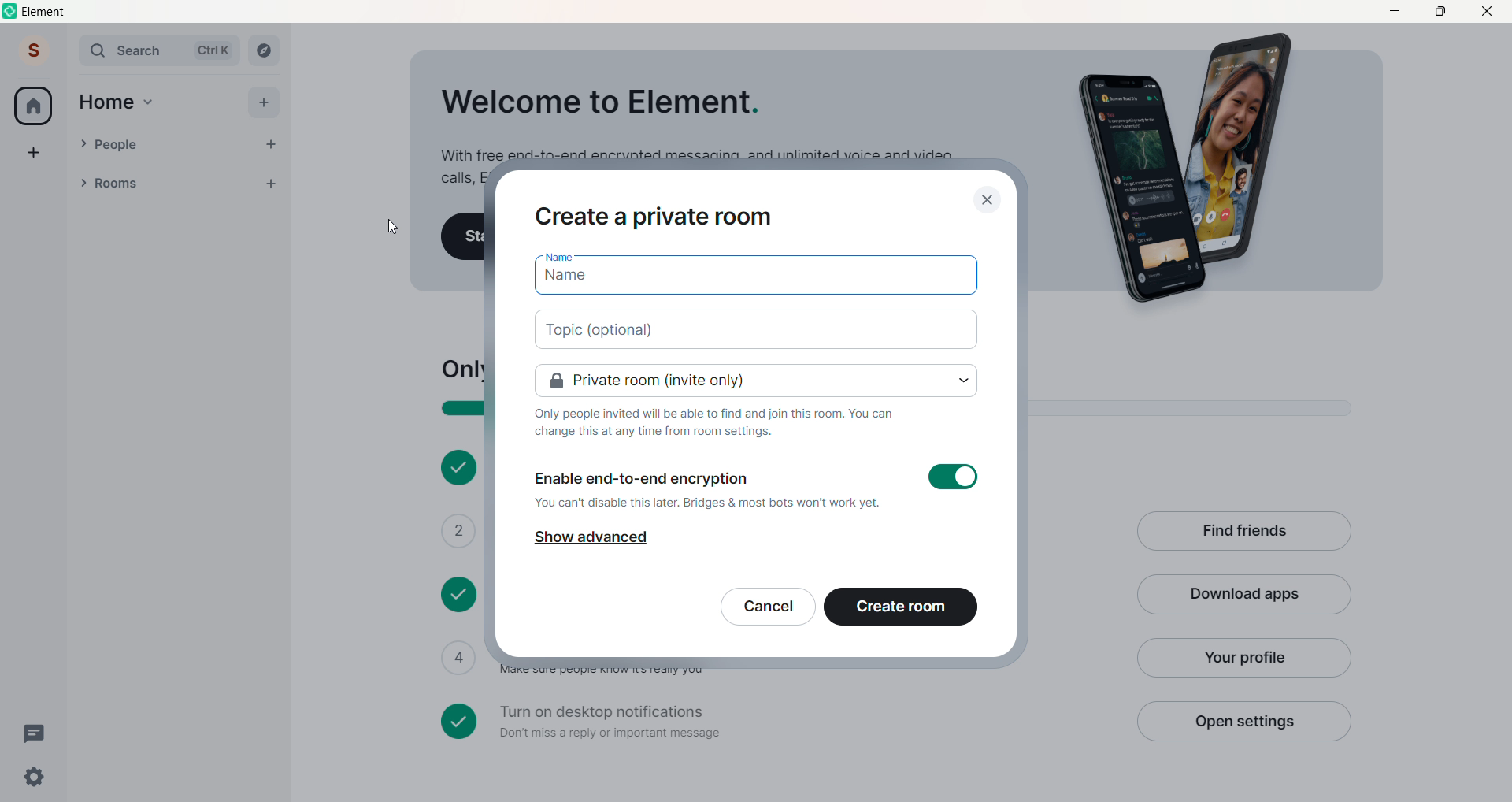 This screenshot has height=802, width=1512. What do you see at coordinates (695, 120) in the screenshot?
I see `Welcome to Element.
With free end-to-end encrypted messaging, and unlimited voice and video
calls, Element is a great way to stay in touch.` at bounding box center [695, 120].